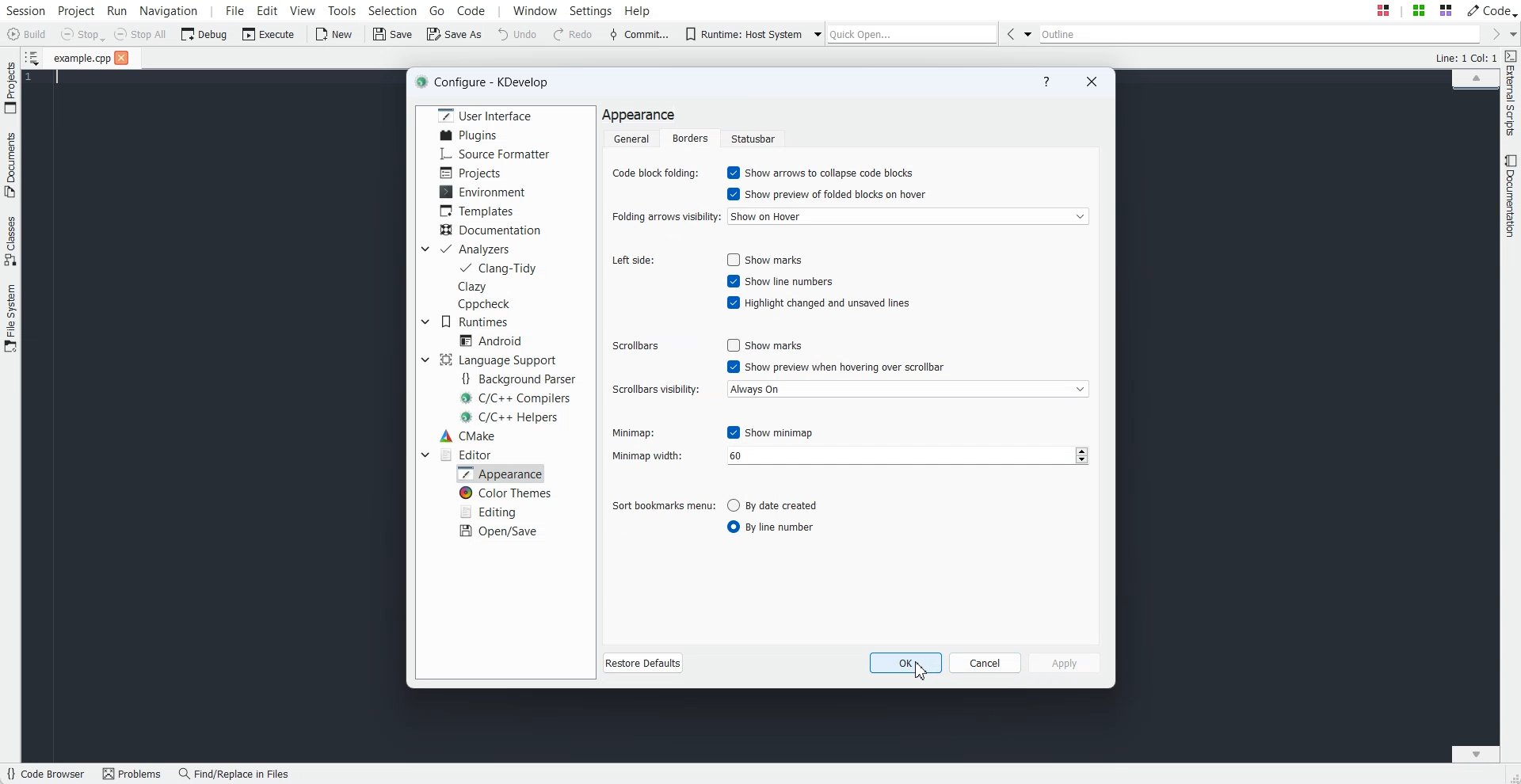 This screenshot has height=784, width=1521. Describe the element at coordinates (139, 34) in the screenshot. I see `Stop All` at that location.